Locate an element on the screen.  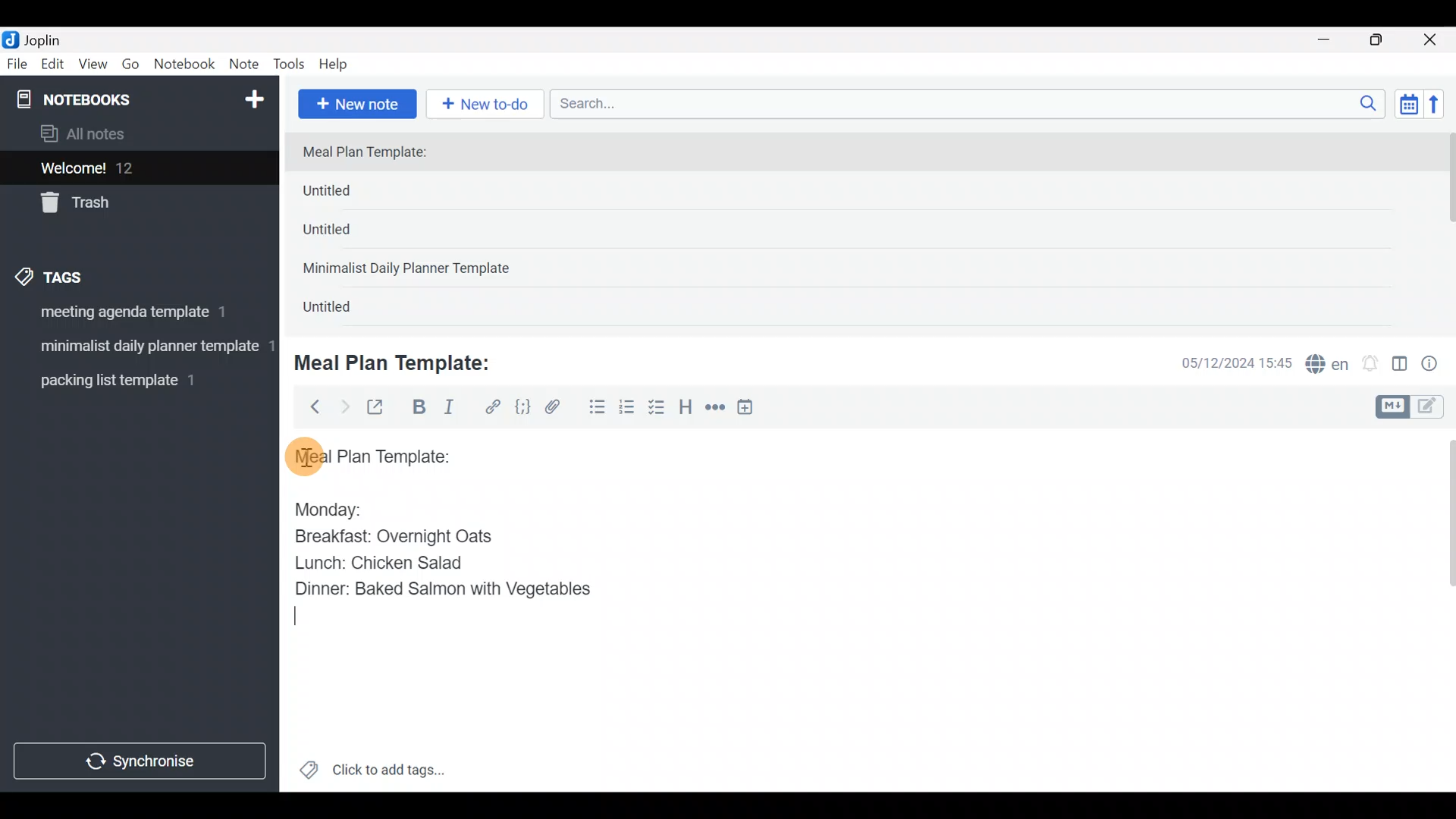
Set alarm is located at coordinates (1371, 365).